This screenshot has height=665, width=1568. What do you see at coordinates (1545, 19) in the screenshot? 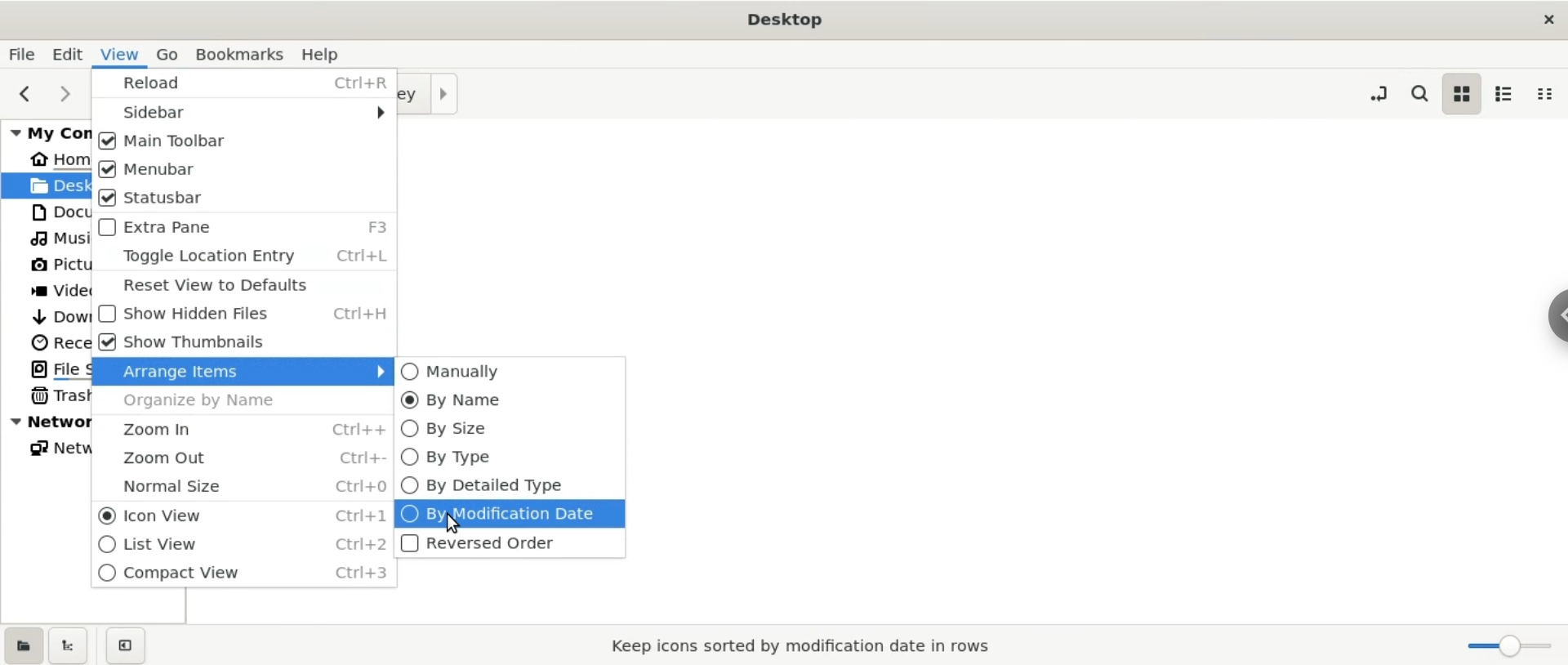
I see `close` at bounding box center [1545, 19].